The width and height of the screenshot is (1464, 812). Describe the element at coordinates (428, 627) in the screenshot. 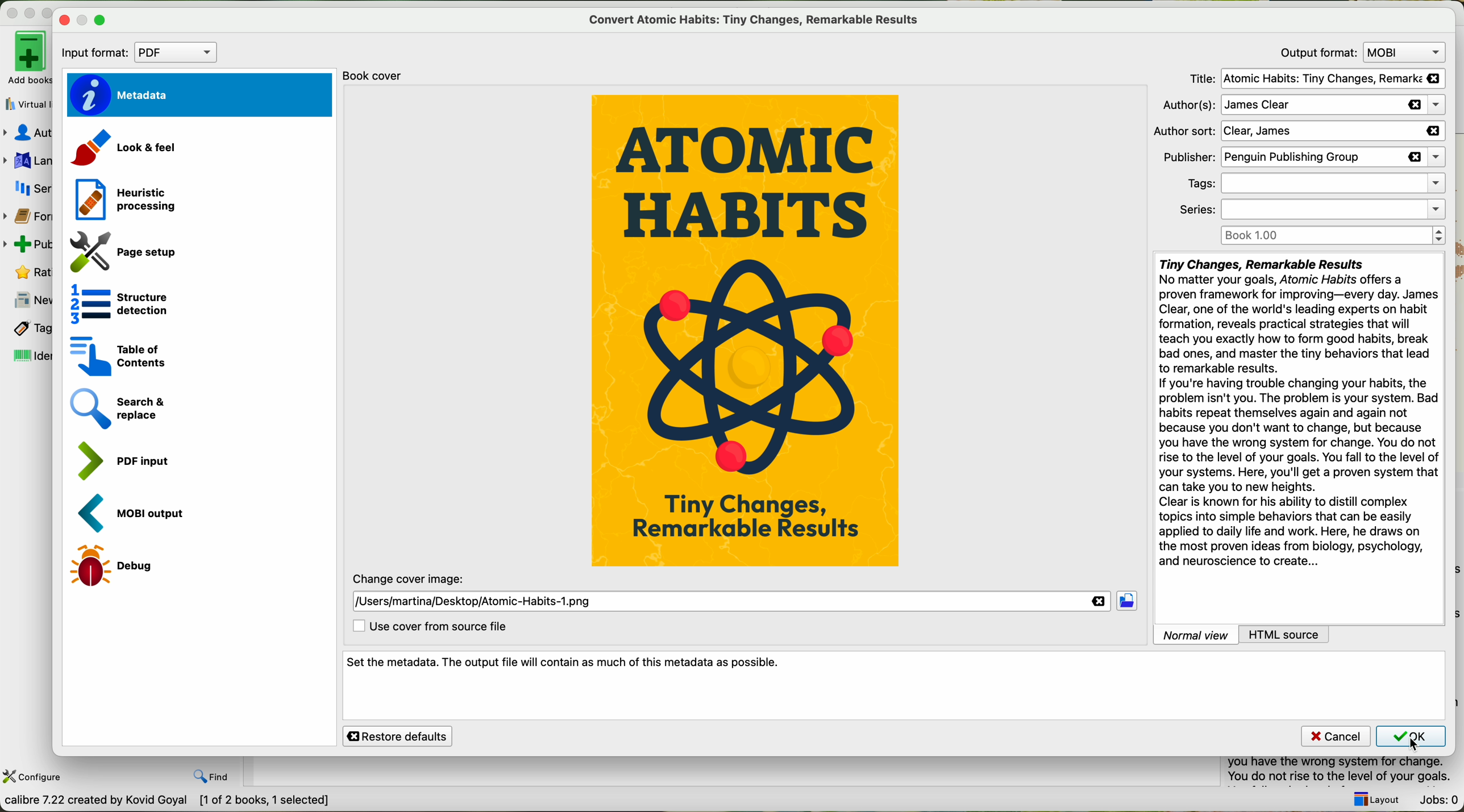

I see `use cover from source file` at that location.